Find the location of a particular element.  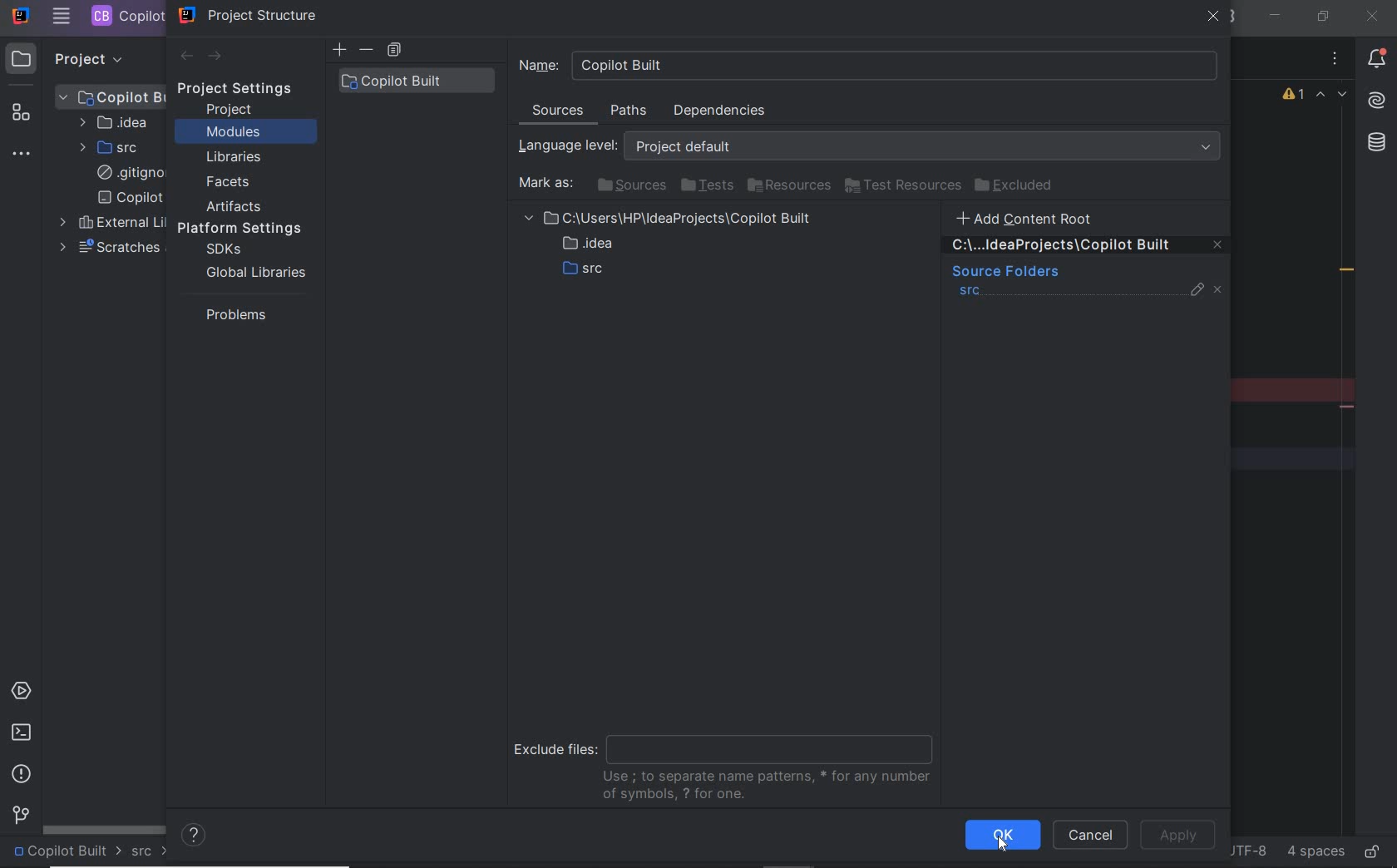

IDEA is located at coordinates (112, 122).